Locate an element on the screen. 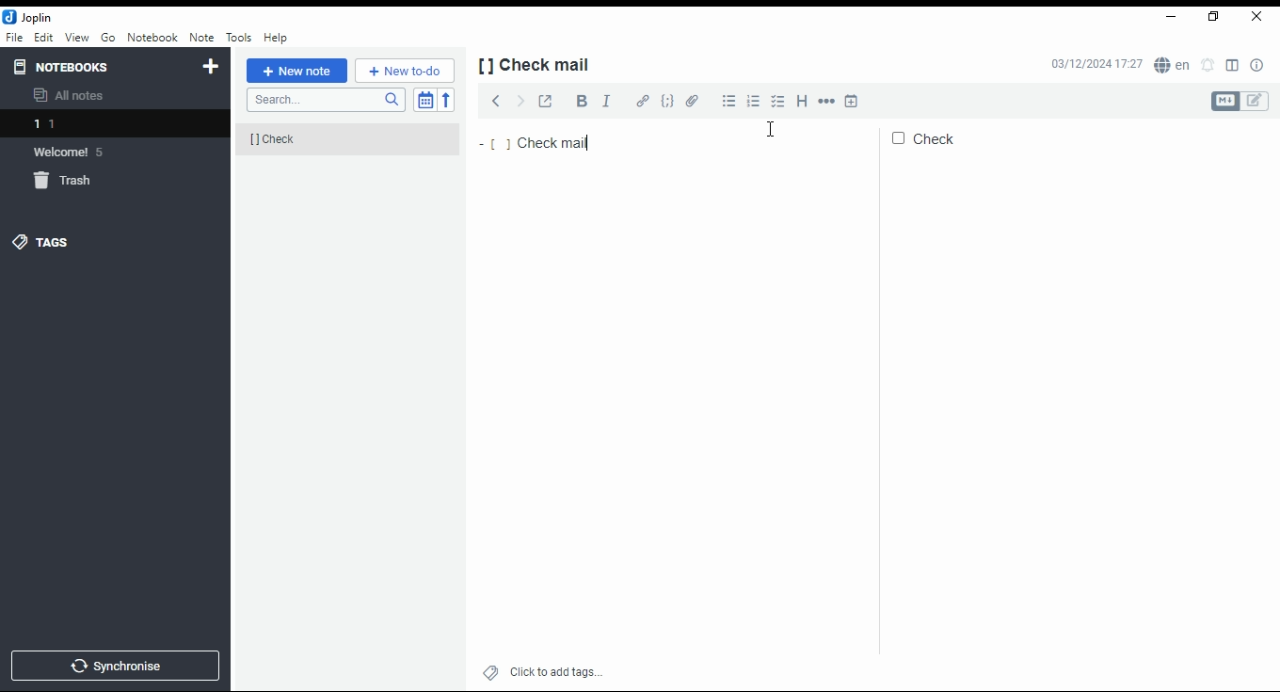 This screenshot has height=692, width=1280. view is located at coordinates (78, 38).